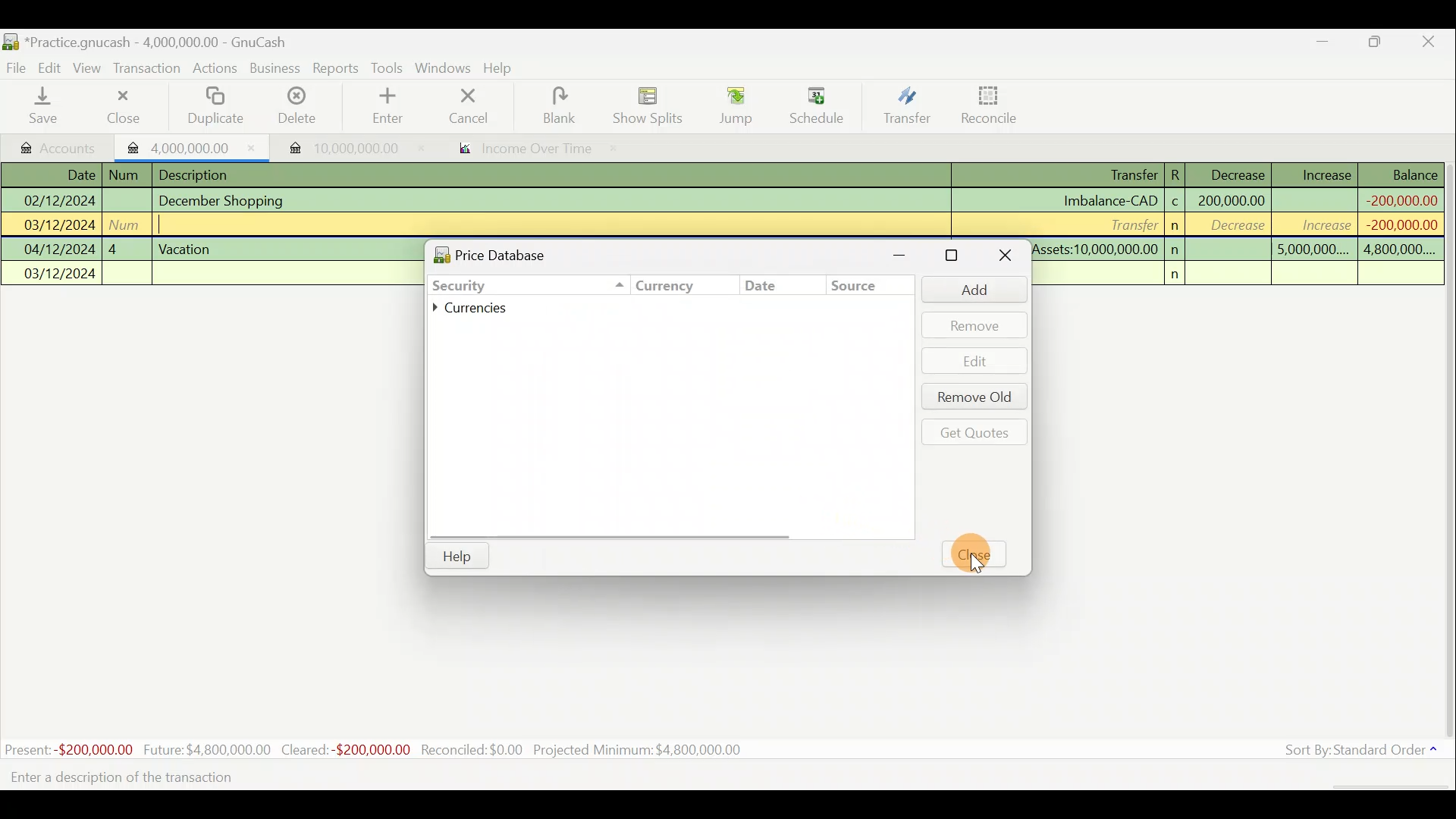  Describe the element at coordinates (1396, 224) in the screenshot. I see `-200,000,000` at that location.